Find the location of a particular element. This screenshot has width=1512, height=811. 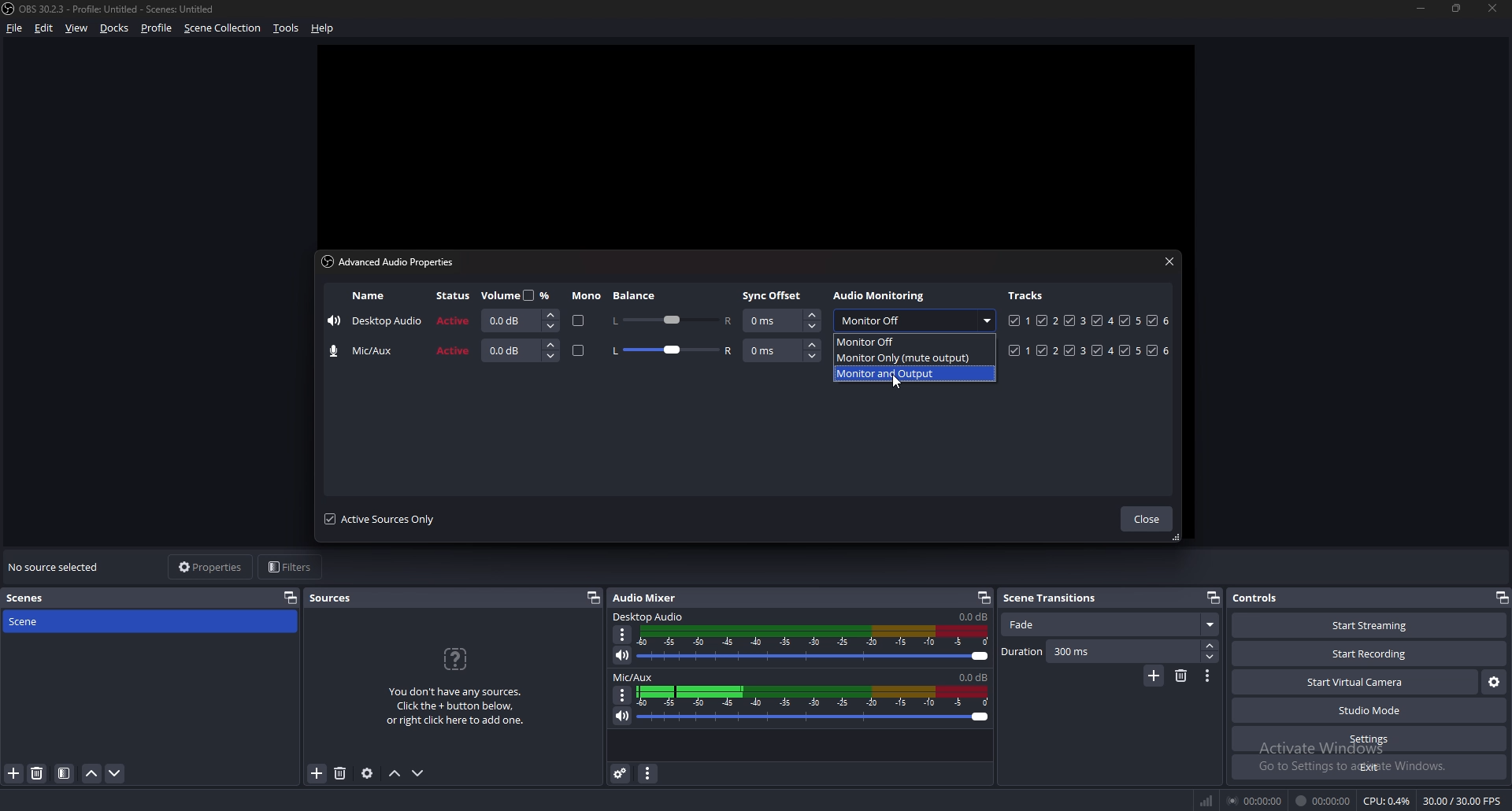

mute is located at coordinates (623, 655).